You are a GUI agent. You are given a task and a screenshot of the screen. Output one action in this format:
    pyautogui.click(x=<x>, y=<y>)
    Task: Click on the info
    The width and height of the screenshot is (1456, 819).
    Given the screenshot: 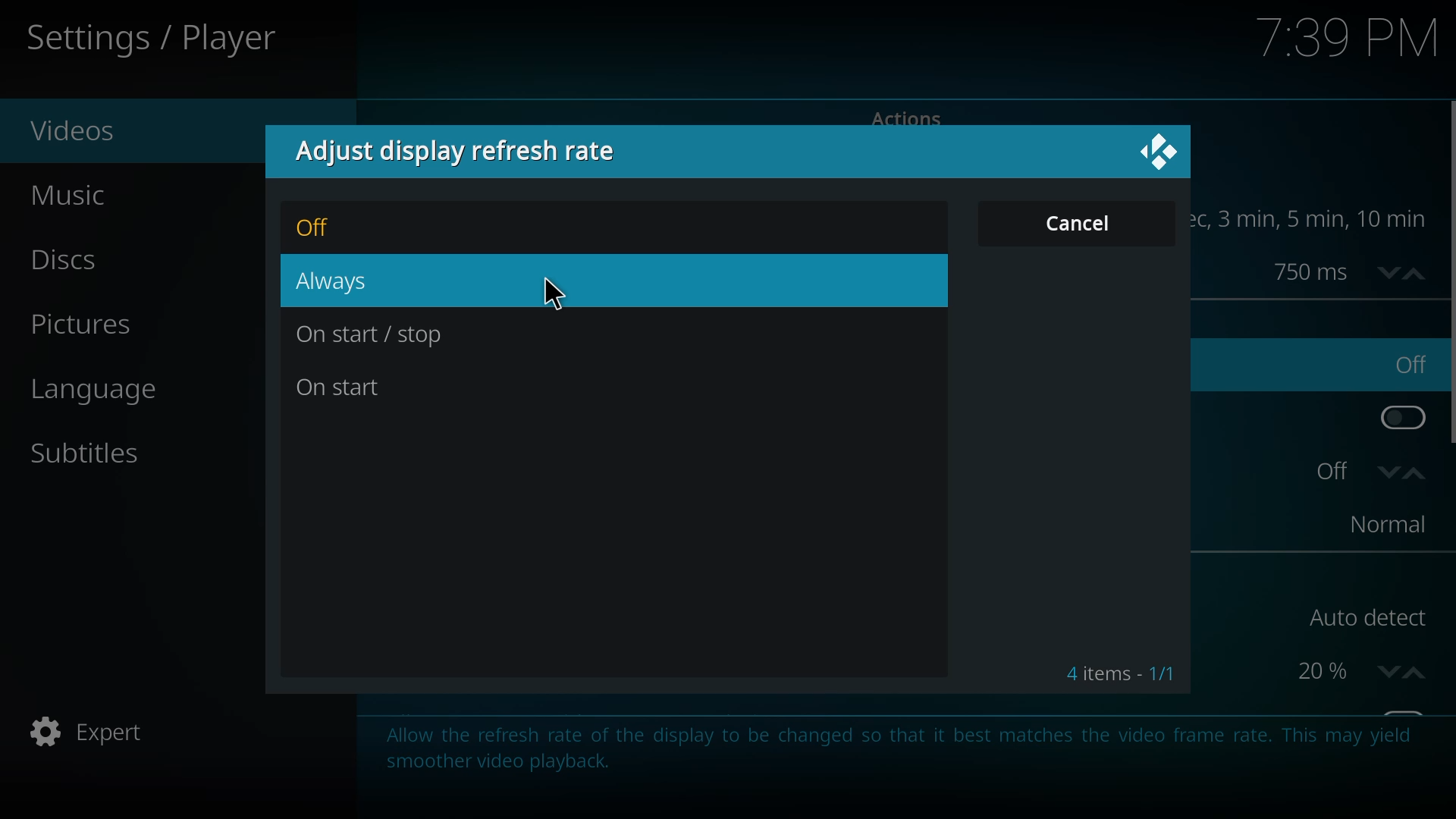 What is the action you would take?
    pyautogui.click(x=895, y=745)
    